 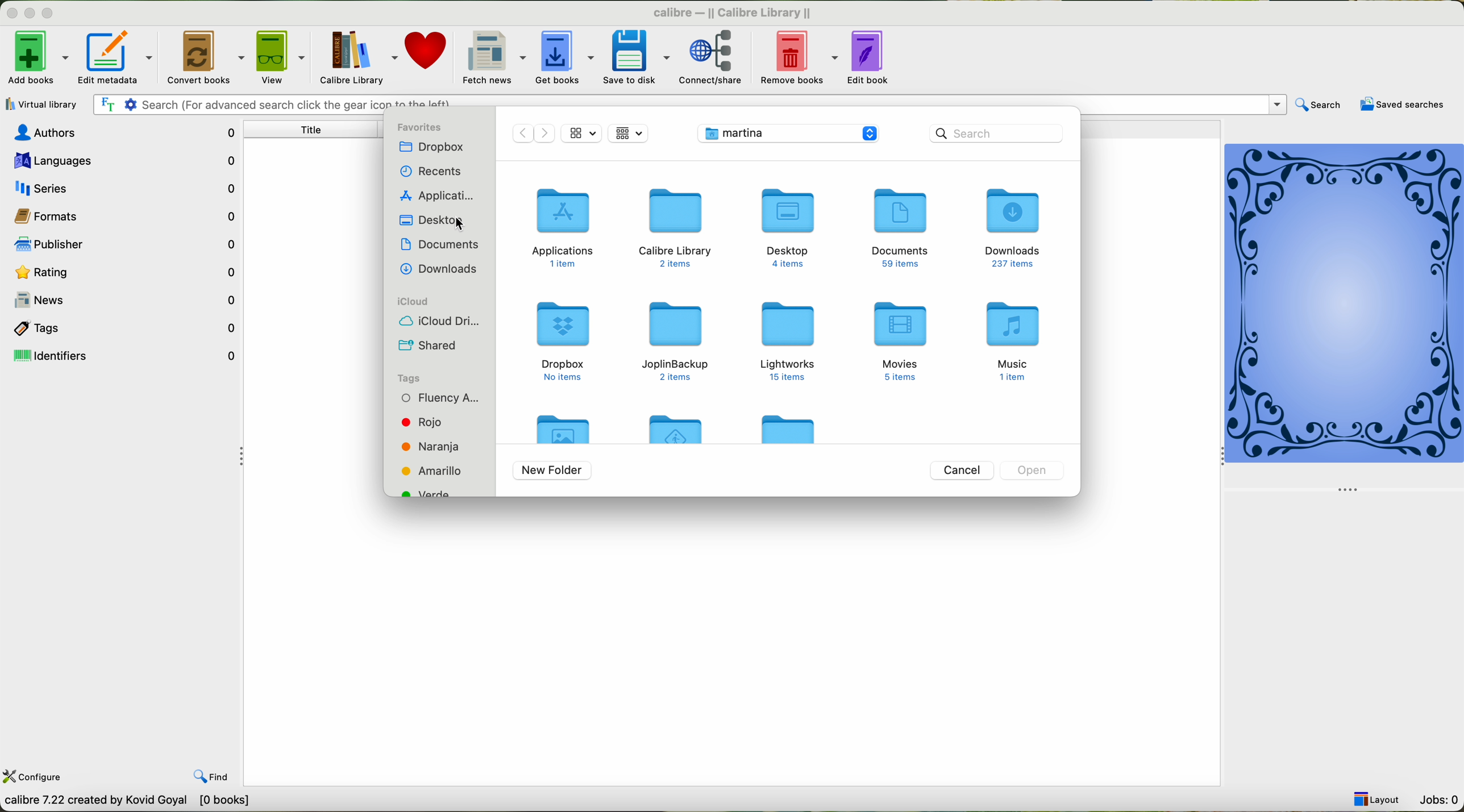 What do you see at coordinates (901, 231) in the screenshot?
I see `Documents` at bounding box center [901, 231].